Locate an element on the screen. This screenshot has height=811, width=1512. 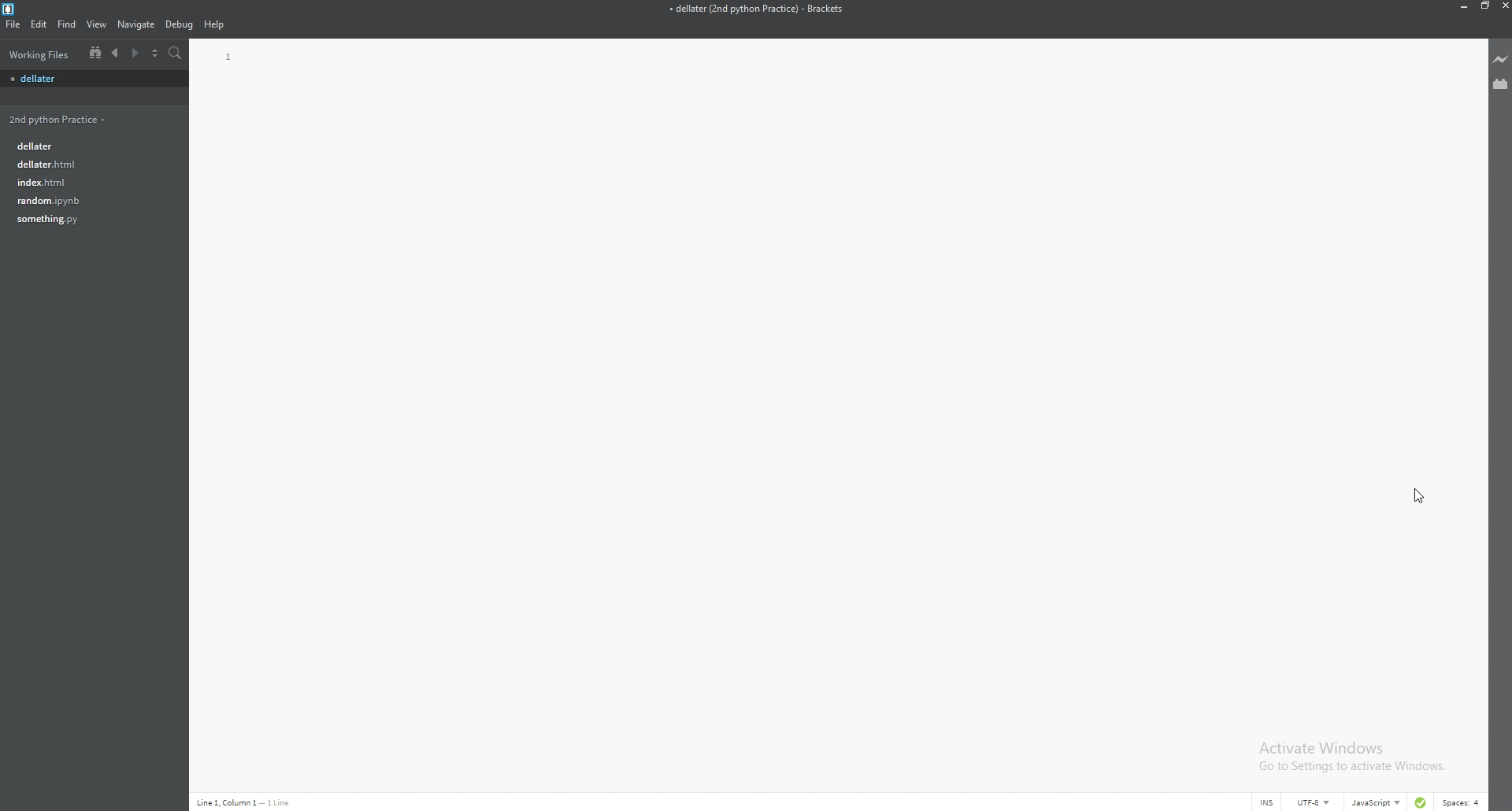
file is located at coordinates (90, 163).